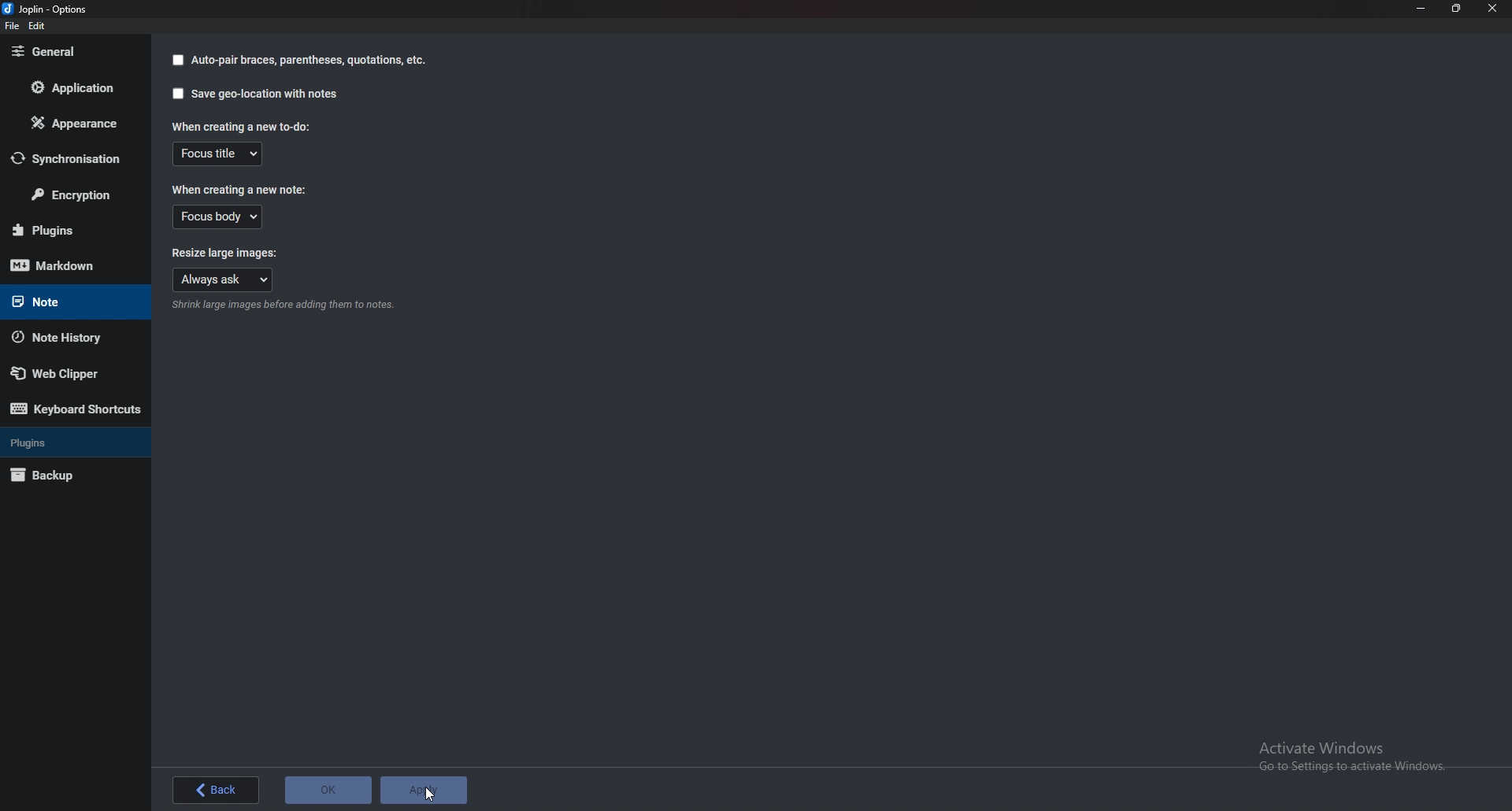  I want to click on cursor, so click(430, 794).